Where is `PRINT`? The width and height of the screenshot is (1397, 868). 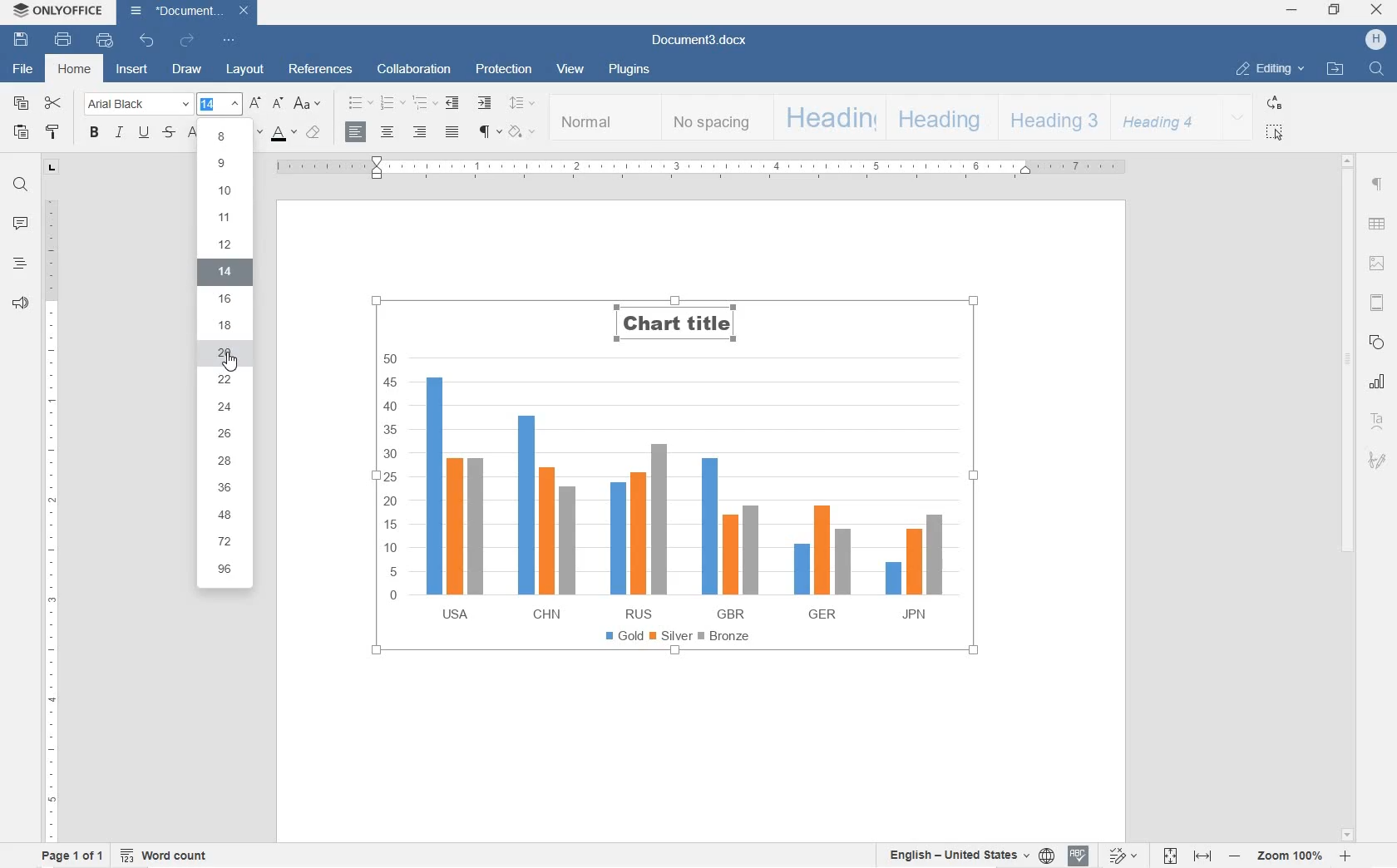
PRINT is located at coordinates (65, 42).